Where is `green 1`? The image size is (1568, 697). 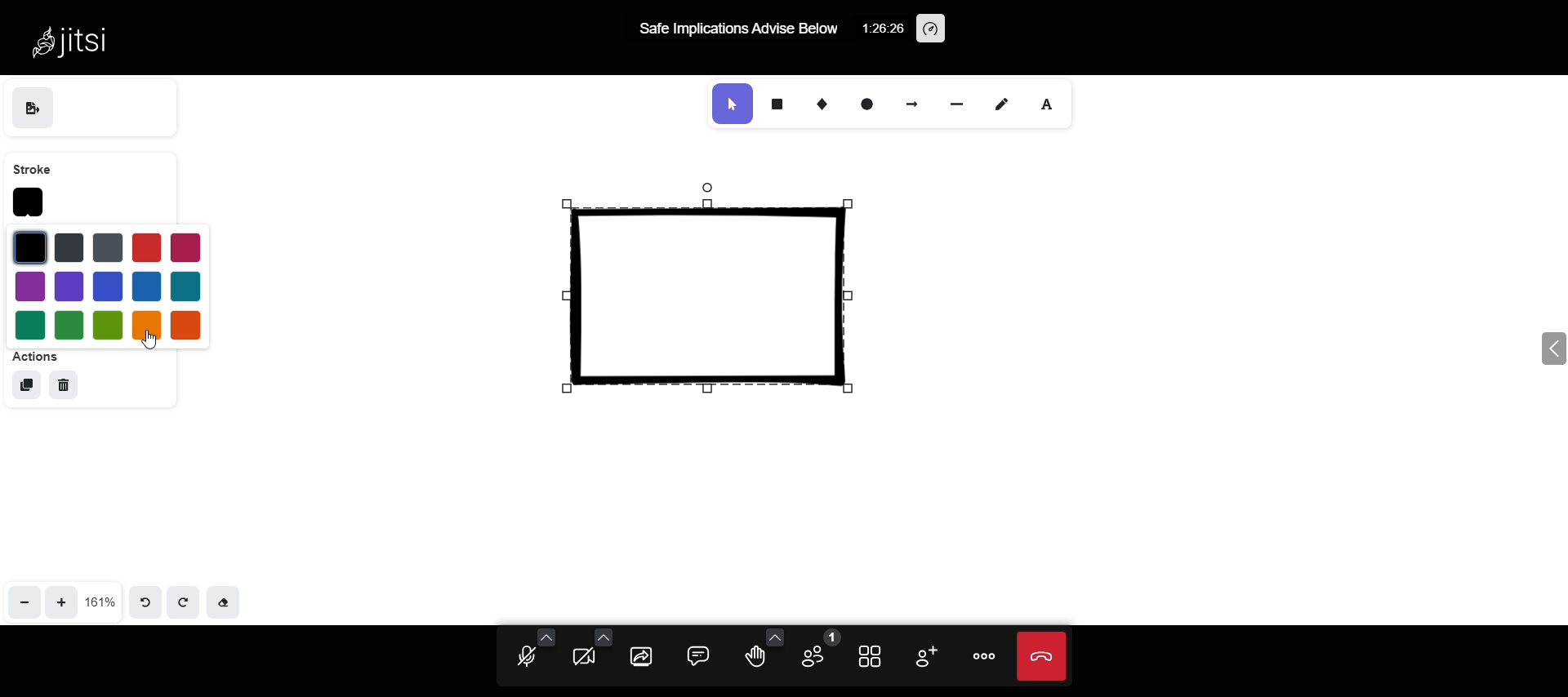 green 1 is located at coordinates (24, 324).